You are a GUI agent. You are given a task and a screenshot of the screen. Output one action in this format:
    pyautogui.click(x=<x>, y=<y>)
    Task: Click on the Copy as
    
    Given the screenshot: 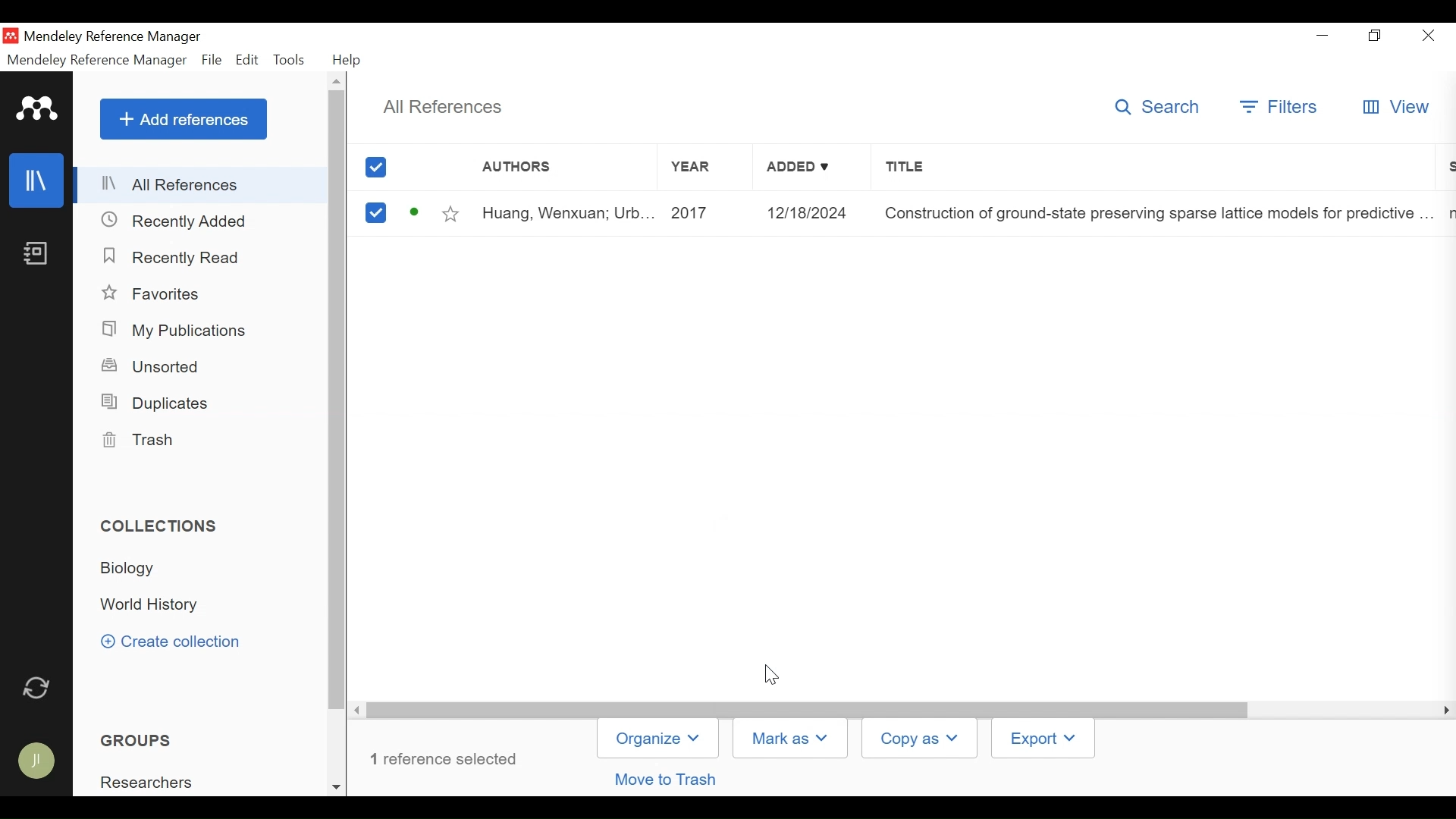 What is the action you would take?
    pyautogui.click(x=918, y=738)
    